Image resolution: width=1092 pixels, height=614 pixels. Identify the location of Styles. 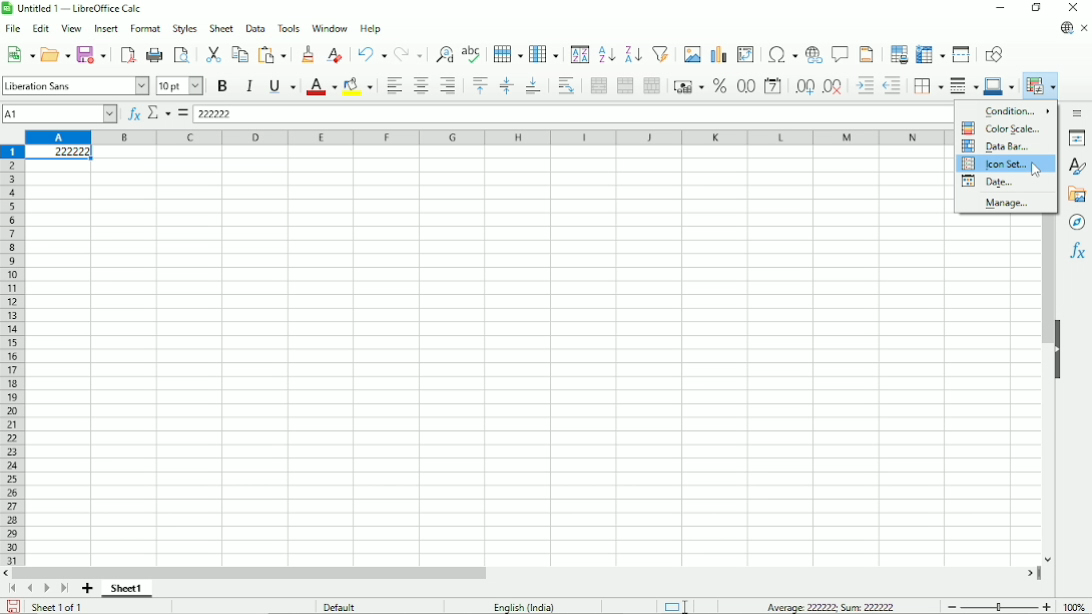
(1079, 167).